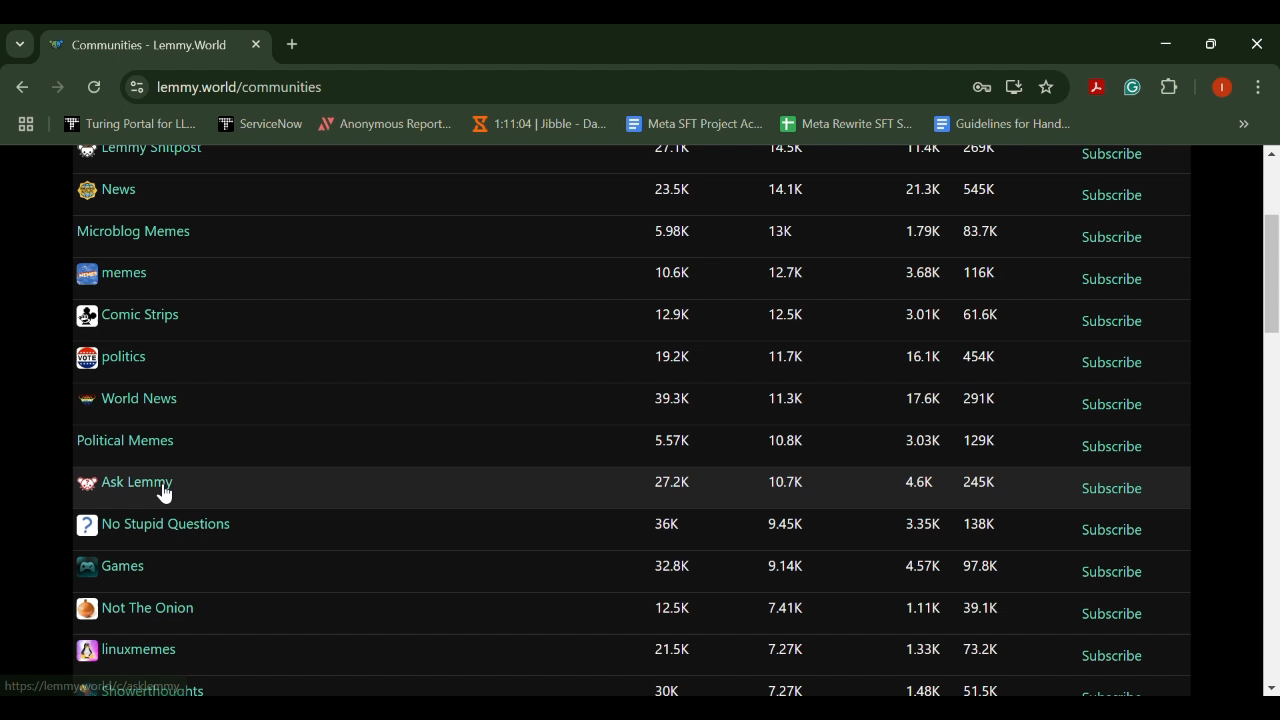  I want to click on Microblog Memes, so click(135, 232).